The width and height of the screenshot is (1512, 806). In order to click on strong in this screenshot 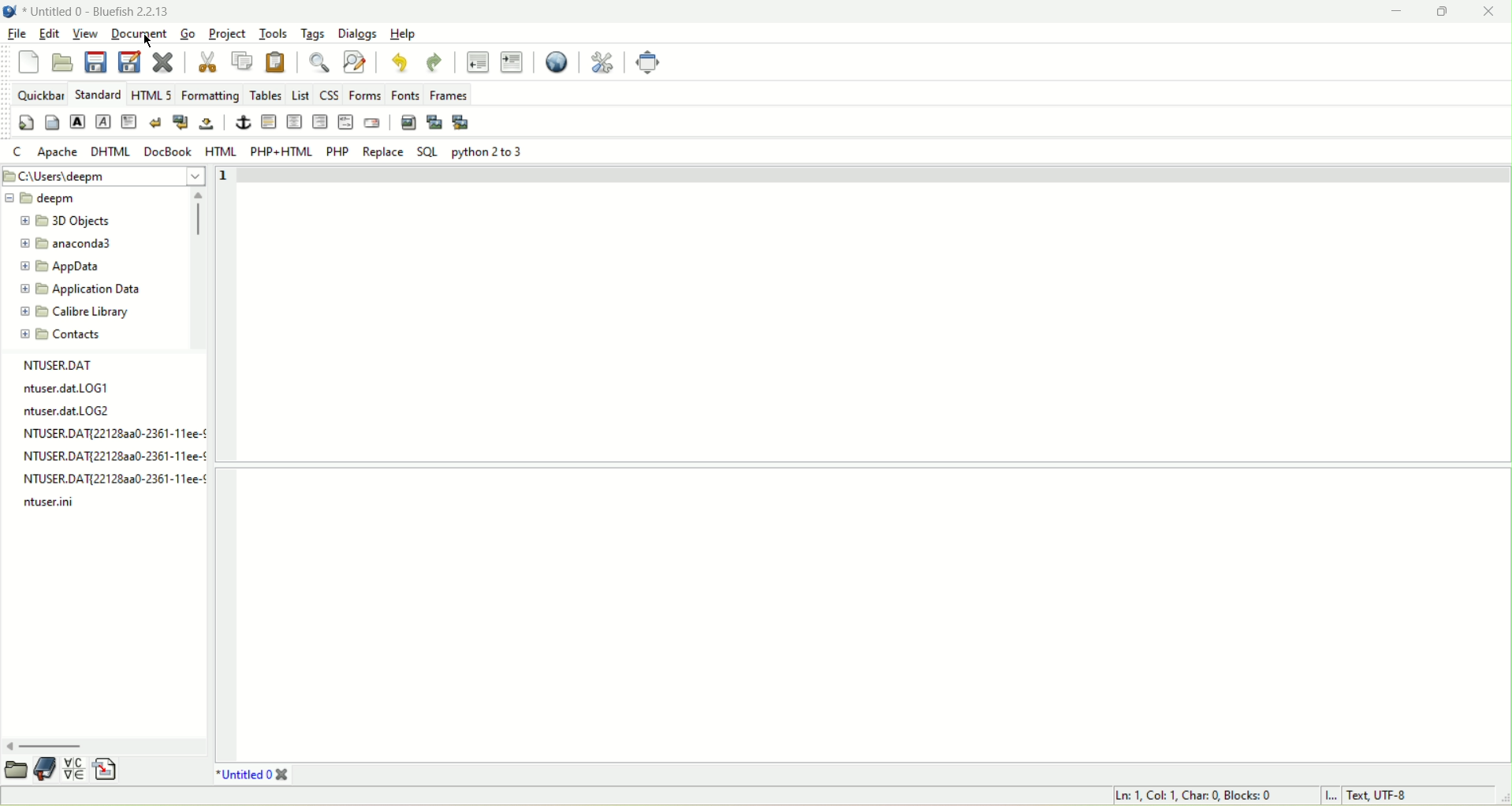, I will do `click(77, 121)`.